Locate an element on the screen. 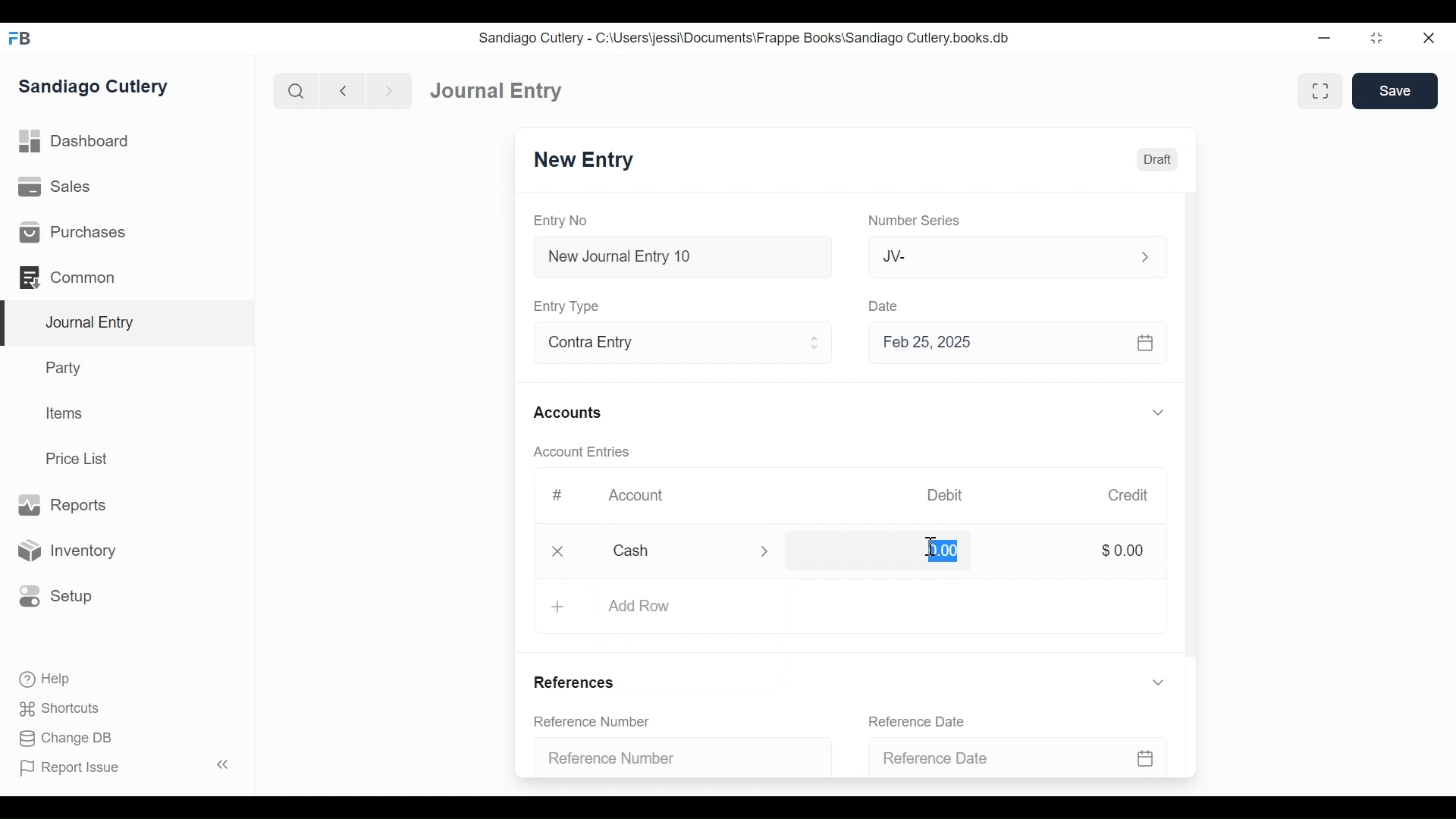 The width and height of the screenshot is (1456, 819). Purchases is located at coordinates (73, 233).